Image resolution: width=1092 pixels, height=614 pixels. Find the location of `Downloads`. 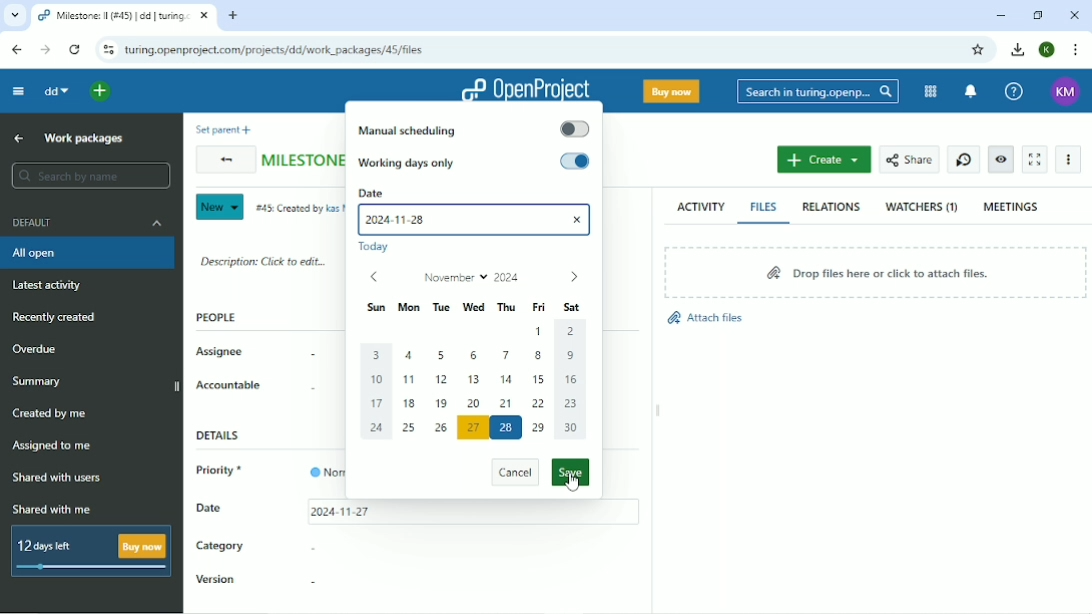

Downloads is located at coordinates (1017, 48).